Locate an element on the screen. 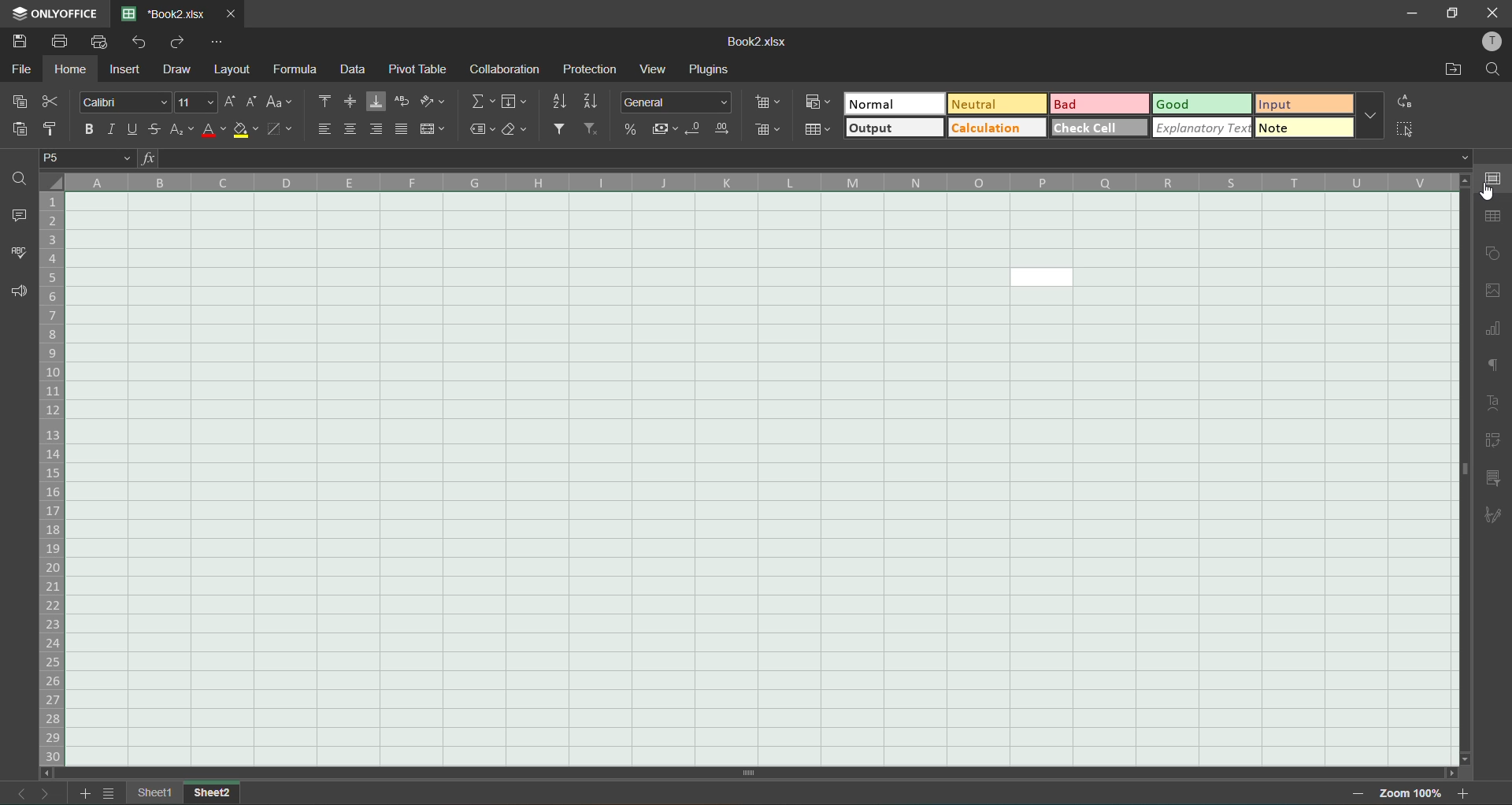 The width and height of the screenshot is (1512, 805). pivot table is located at coordinates (1494, 442).